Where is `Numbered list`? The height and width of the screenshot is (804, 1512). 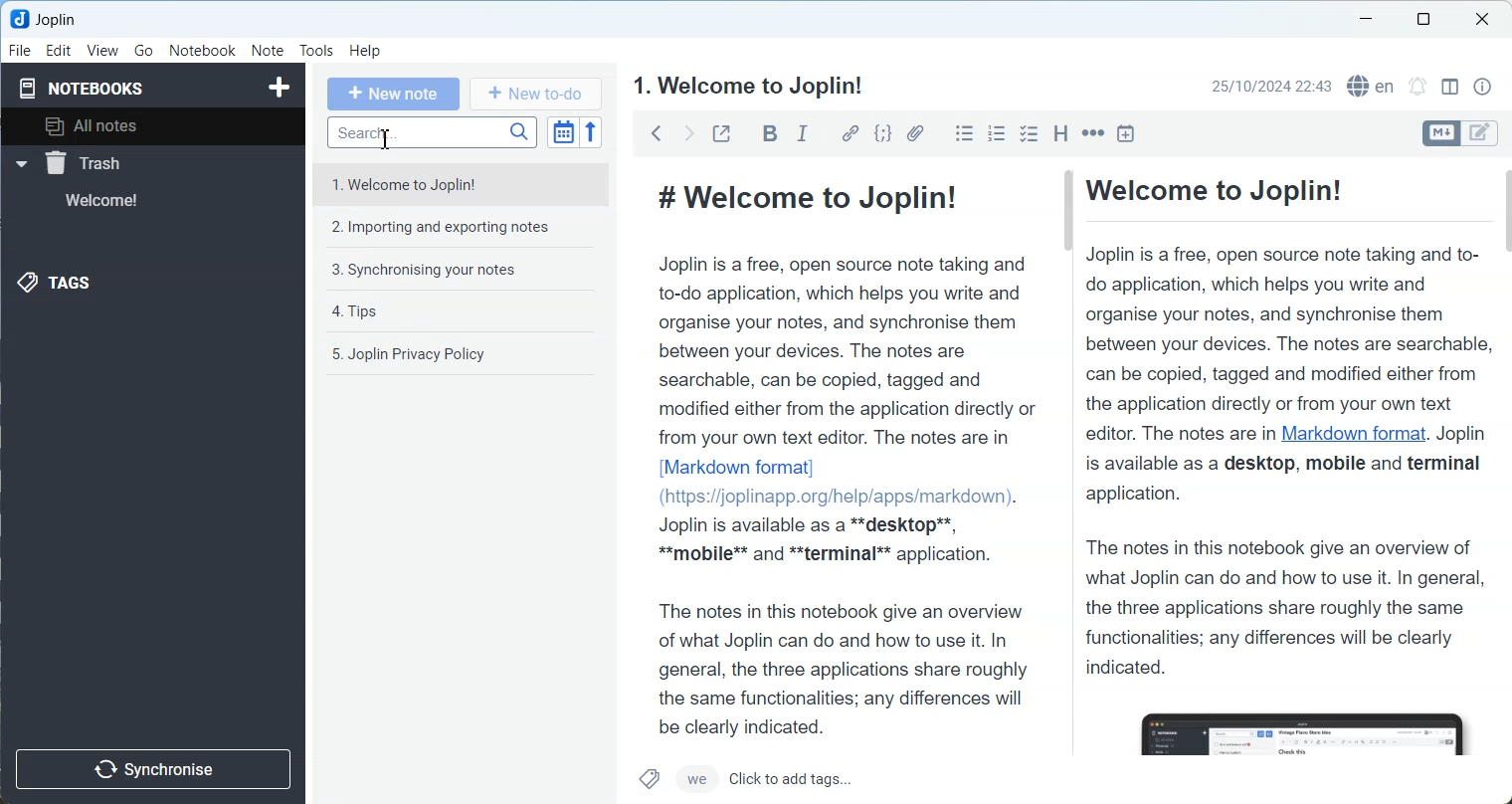
Numbered list is located at coordinates (997, 133).